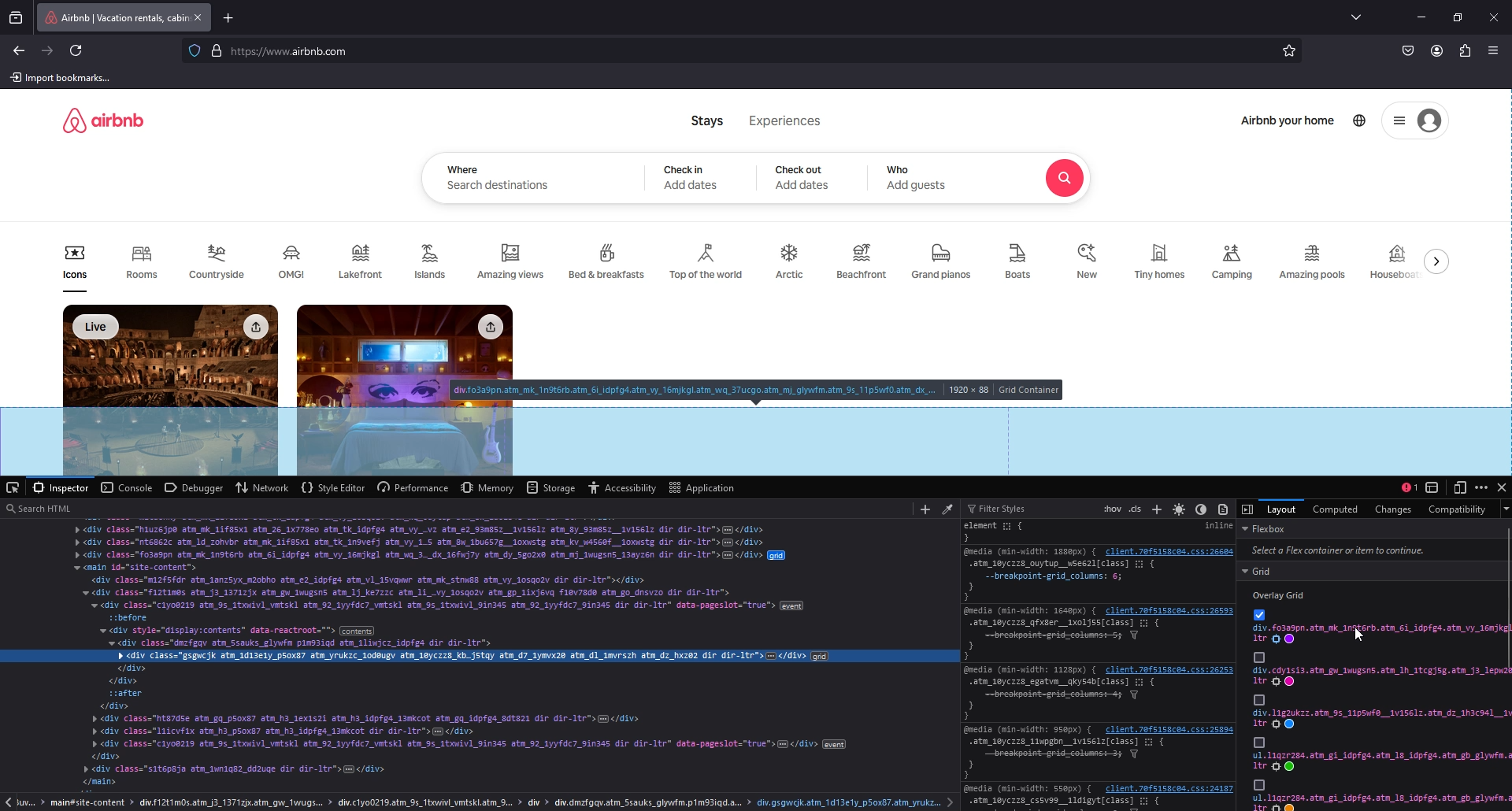 Image resolution: width=1512 pixels, height=811 pixels. What do you see at coordinates (1315, 262) in the screenshot?
I see `amazing pools` at bounding box center [1315, 262].